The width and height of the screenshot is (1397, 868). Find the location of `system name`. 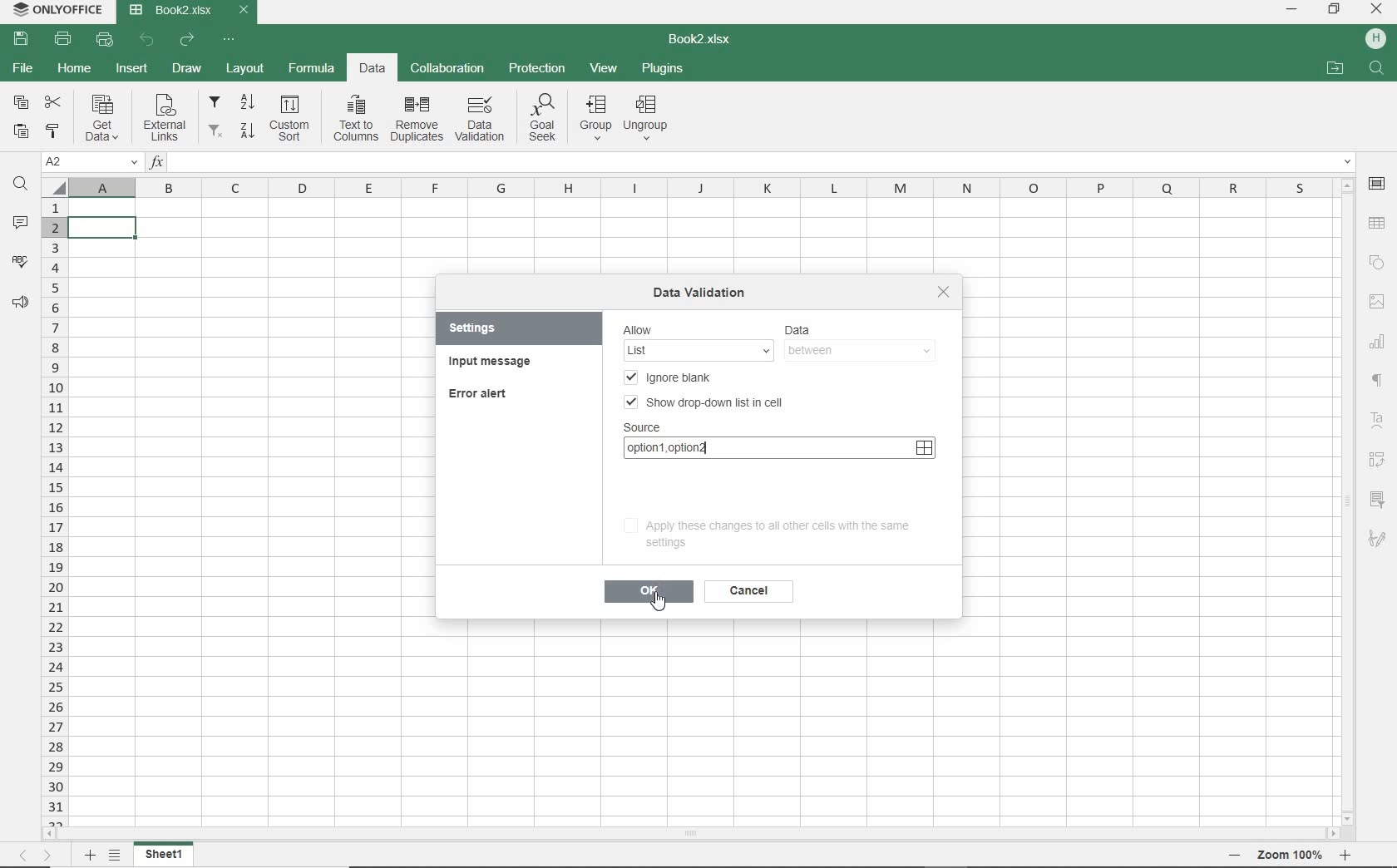

system name is located at coordinates (58, 11).